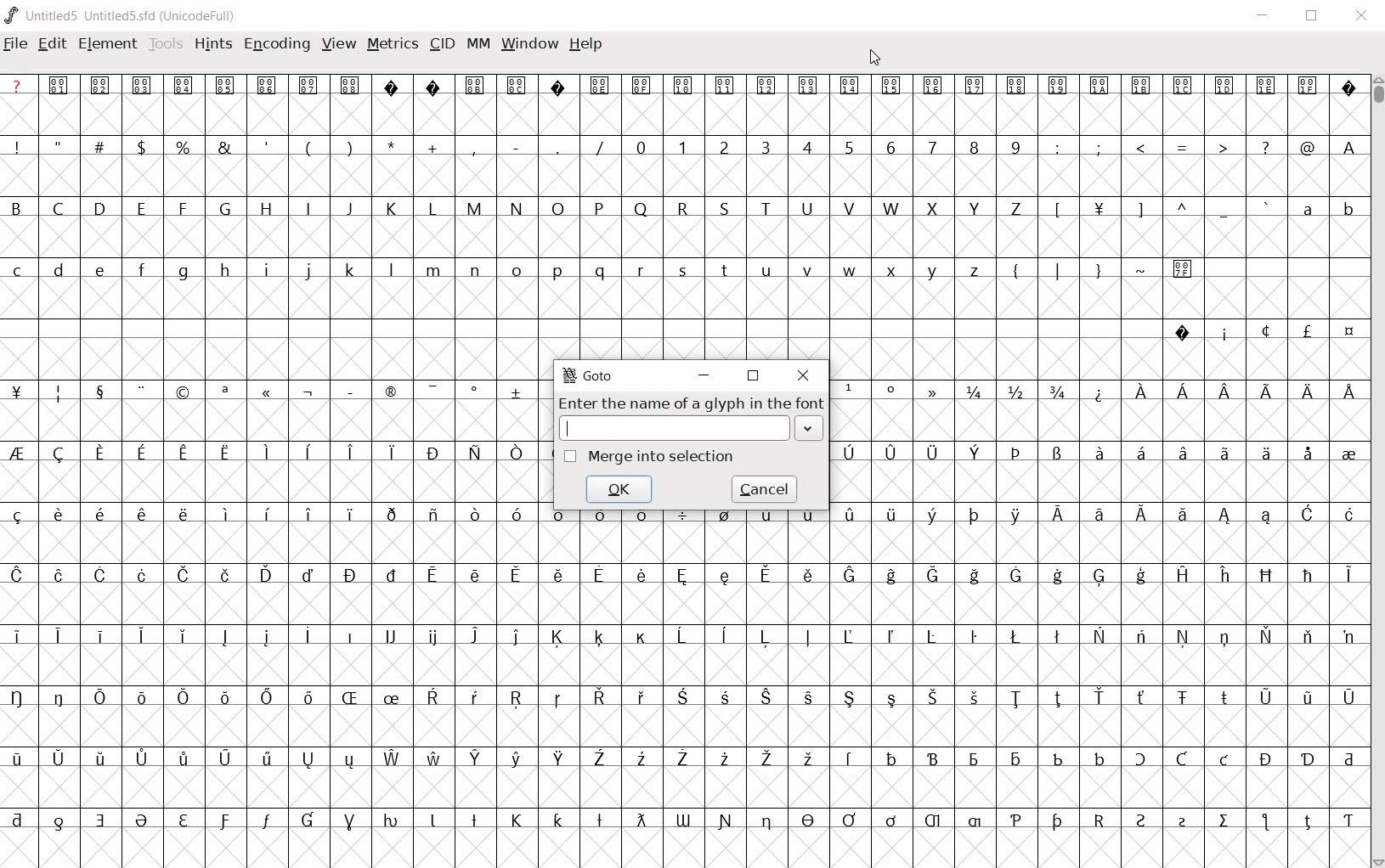 The width and height of the screenshot is (1385, 868). Describe the element at coordinates (266, 271) in the screenshot. I see `i` at that location.